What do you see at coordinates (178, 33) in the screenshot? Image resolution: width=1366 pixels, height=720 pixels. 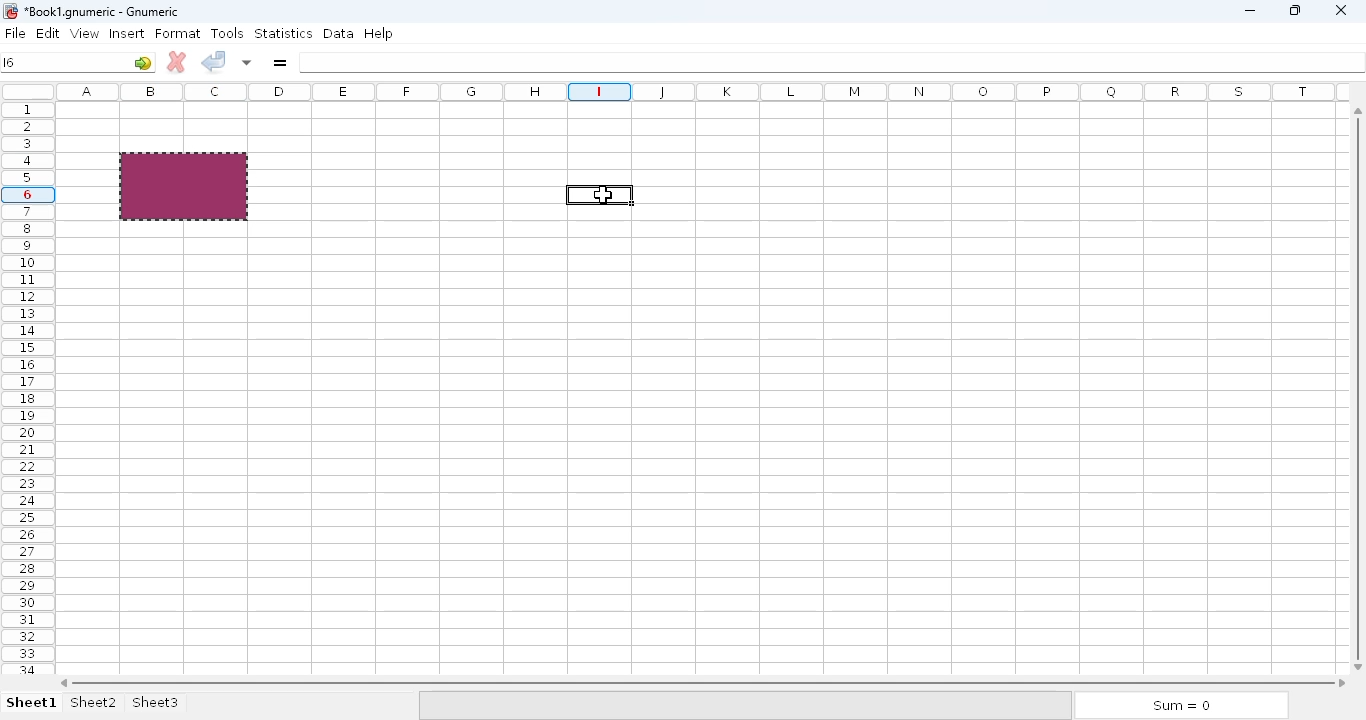 I see `format` at bounding box center [178, 33].